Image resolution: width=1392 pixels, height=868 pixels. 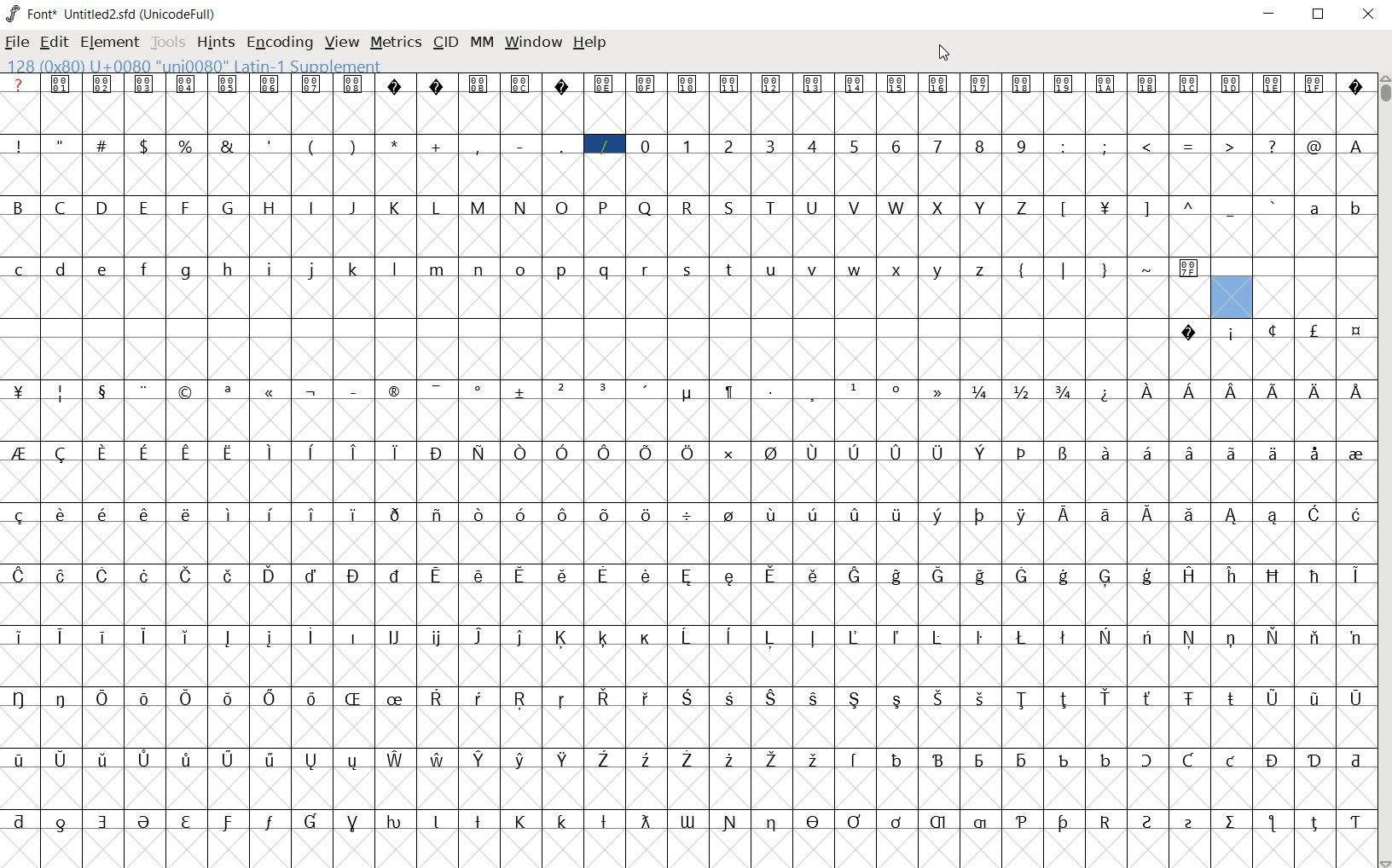 What do you see at coordinates (197, 65) in the screenshot?
I see `GLYPHY INFO` at bounding box center [197, 65].